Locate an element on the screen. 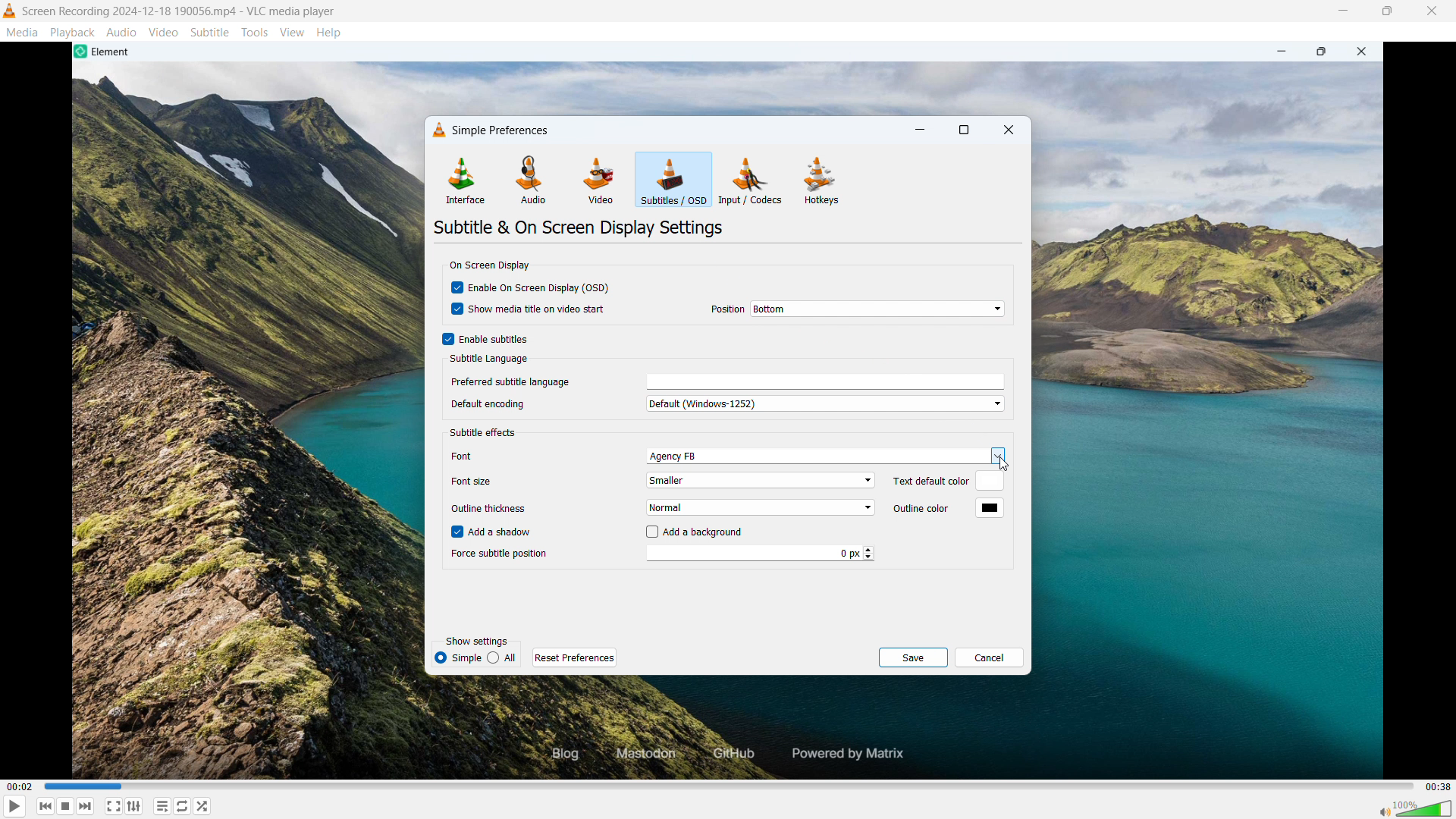 Image resolution: width=1456 pixels, height=819 pixels. force subtitle position is located at coordinates (761, 553).